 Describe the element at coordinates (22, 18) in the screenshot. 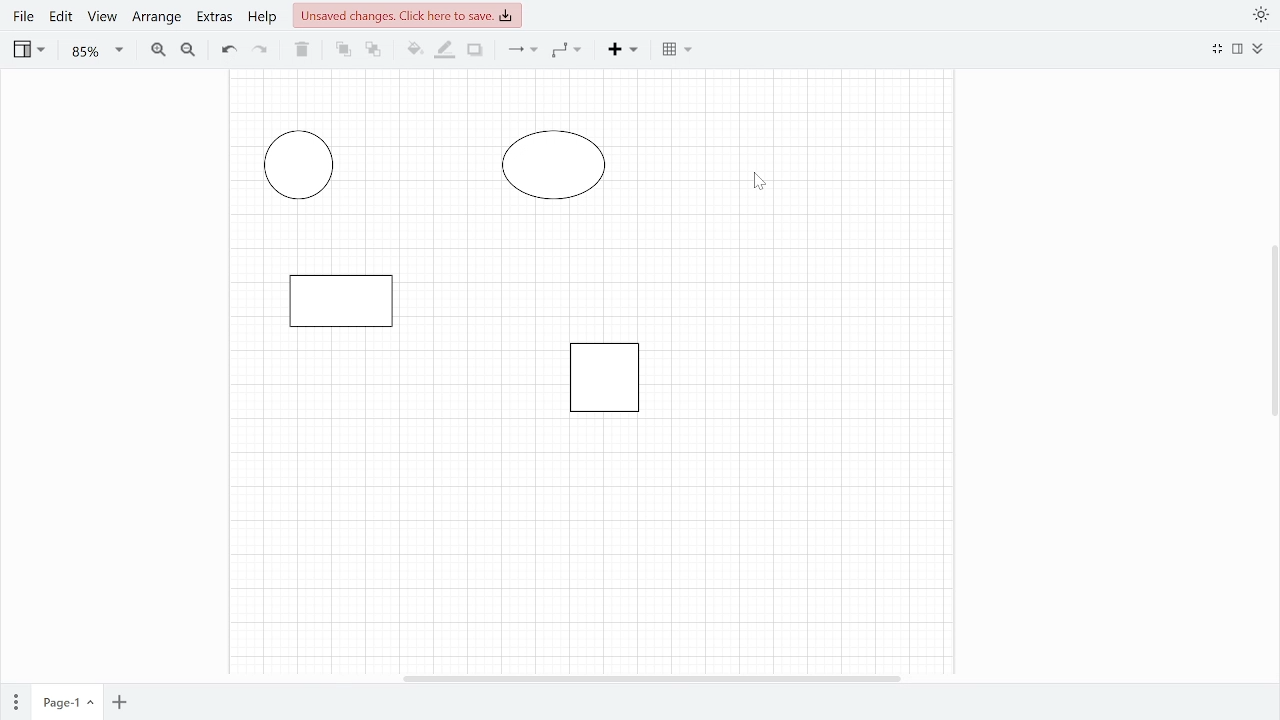

I see `File` at that location.